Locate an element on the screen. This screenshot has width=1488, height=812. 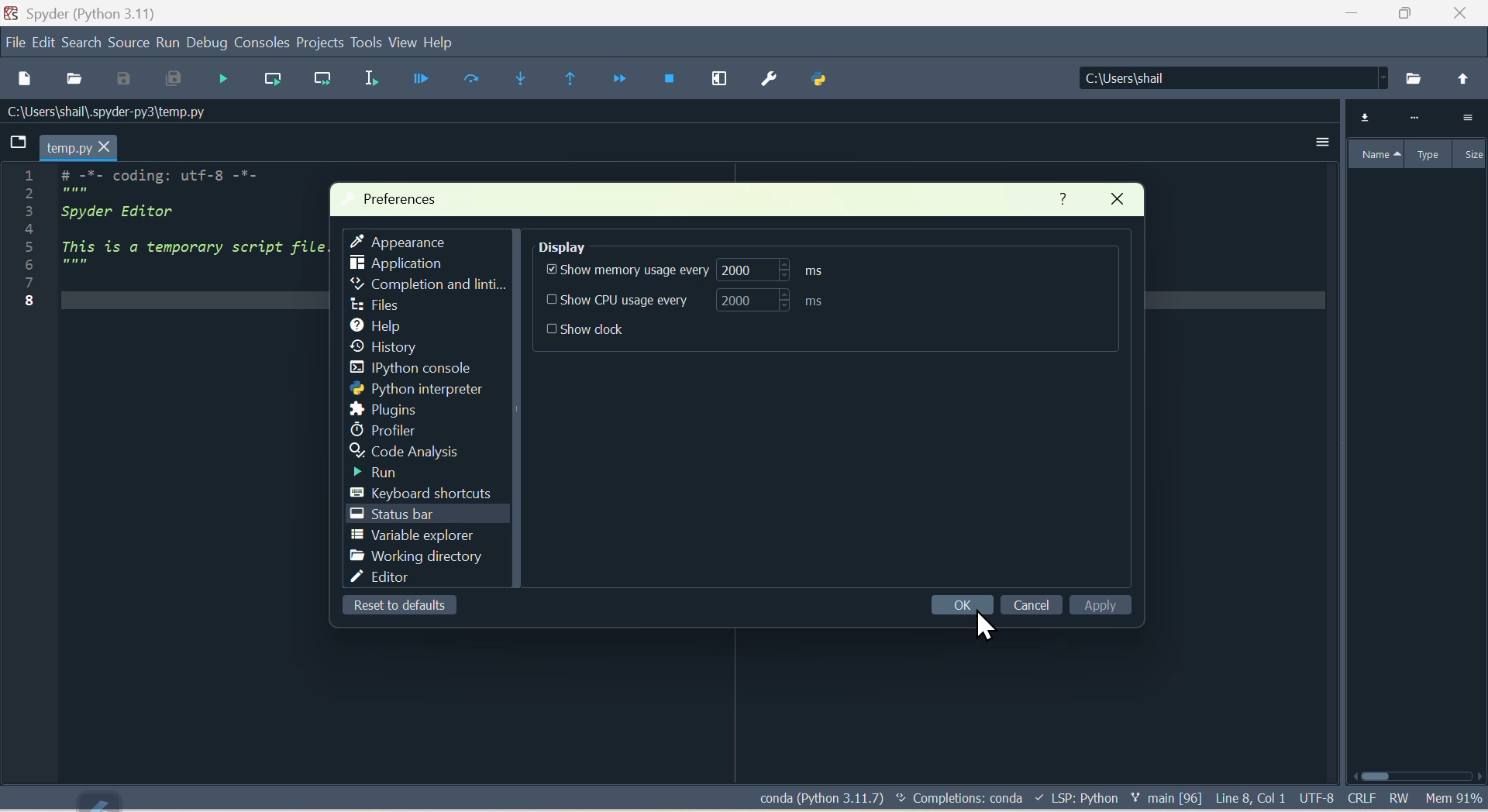
Continue execution until same function arrives is located at coordinates (566, 81).